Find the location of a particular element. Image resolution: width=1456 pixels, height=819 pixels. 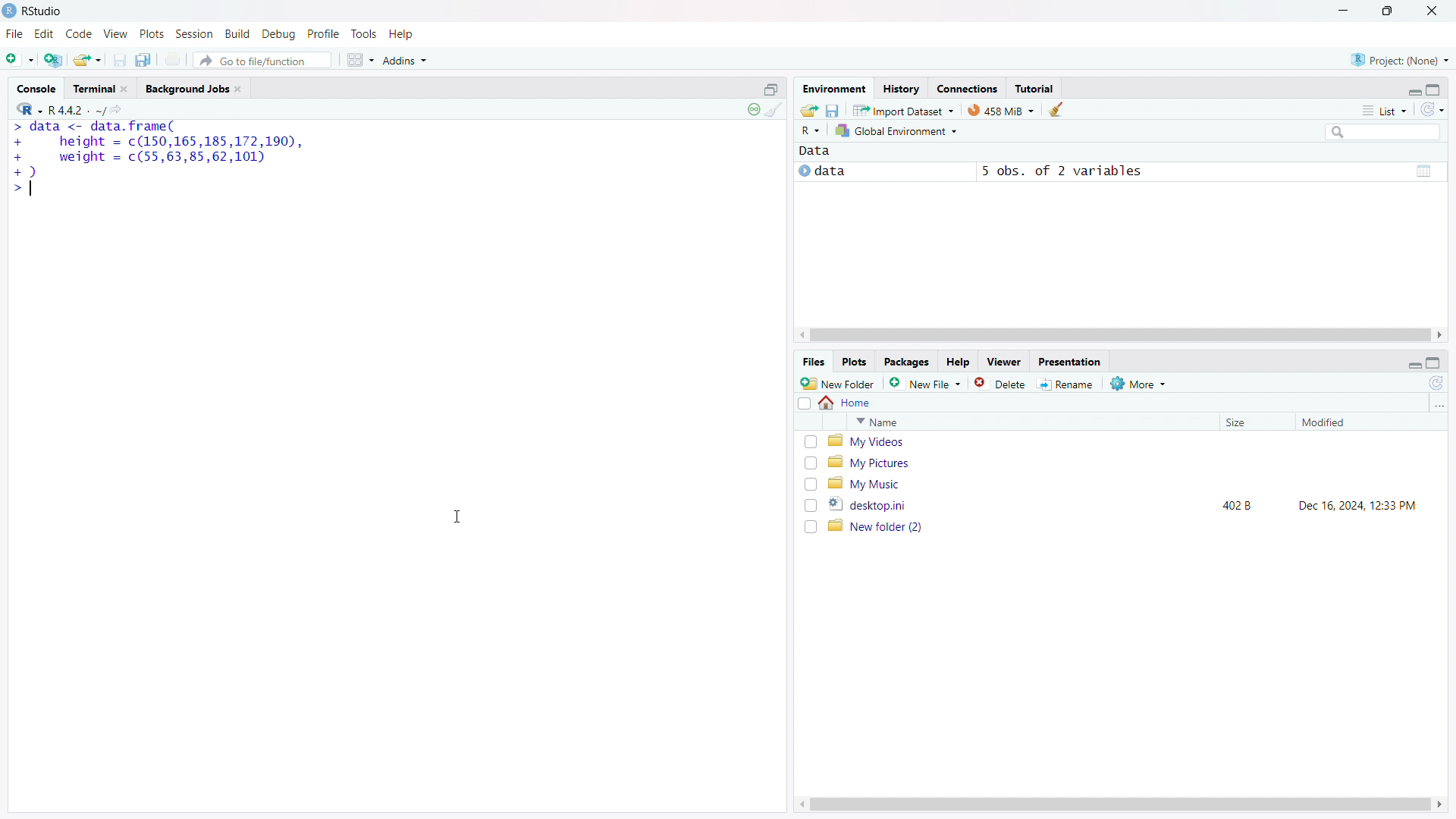

+) is located at coordinates (25, 171).